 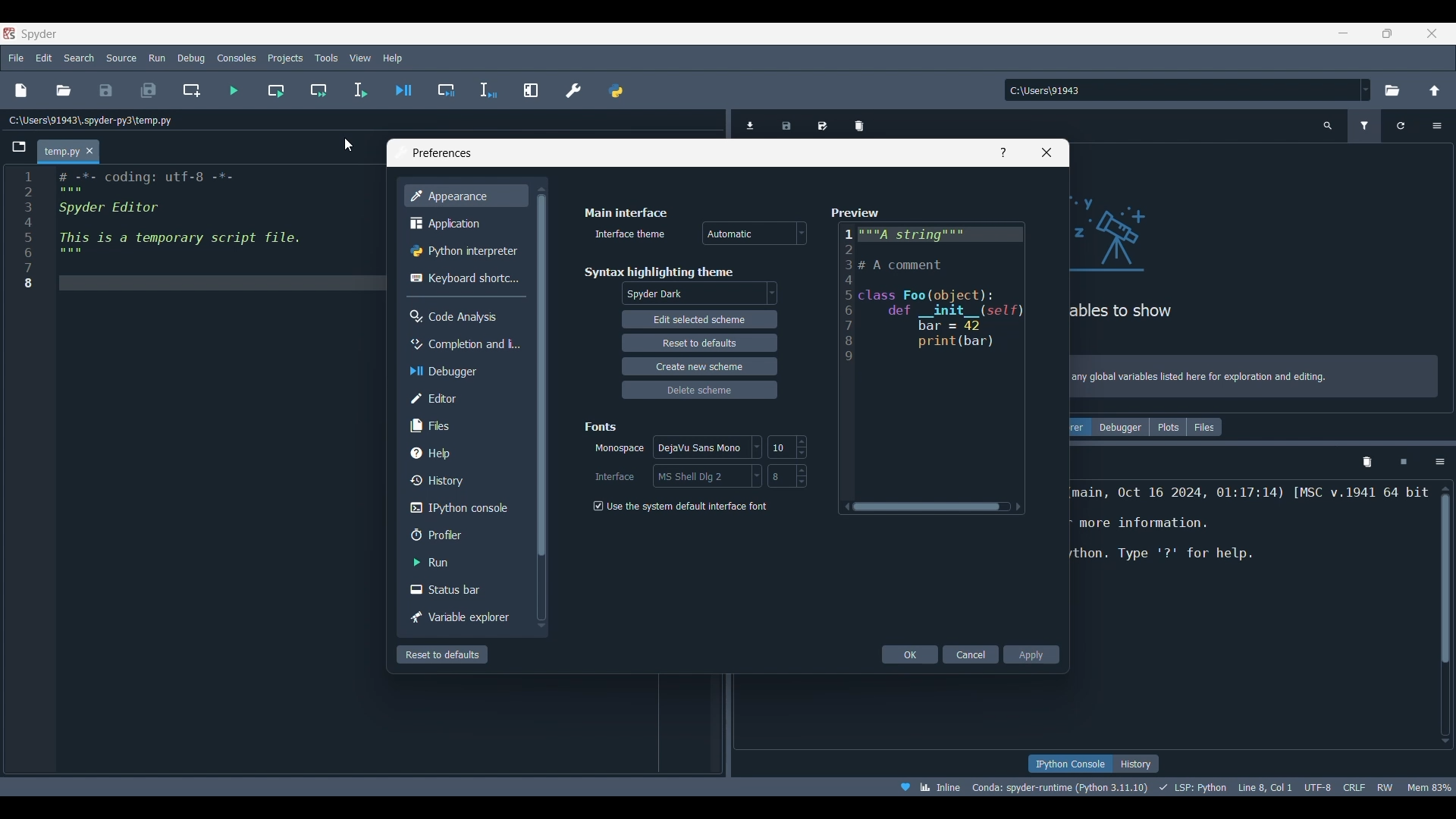 I want to click on Minimize, so click(x=1343, y=33).